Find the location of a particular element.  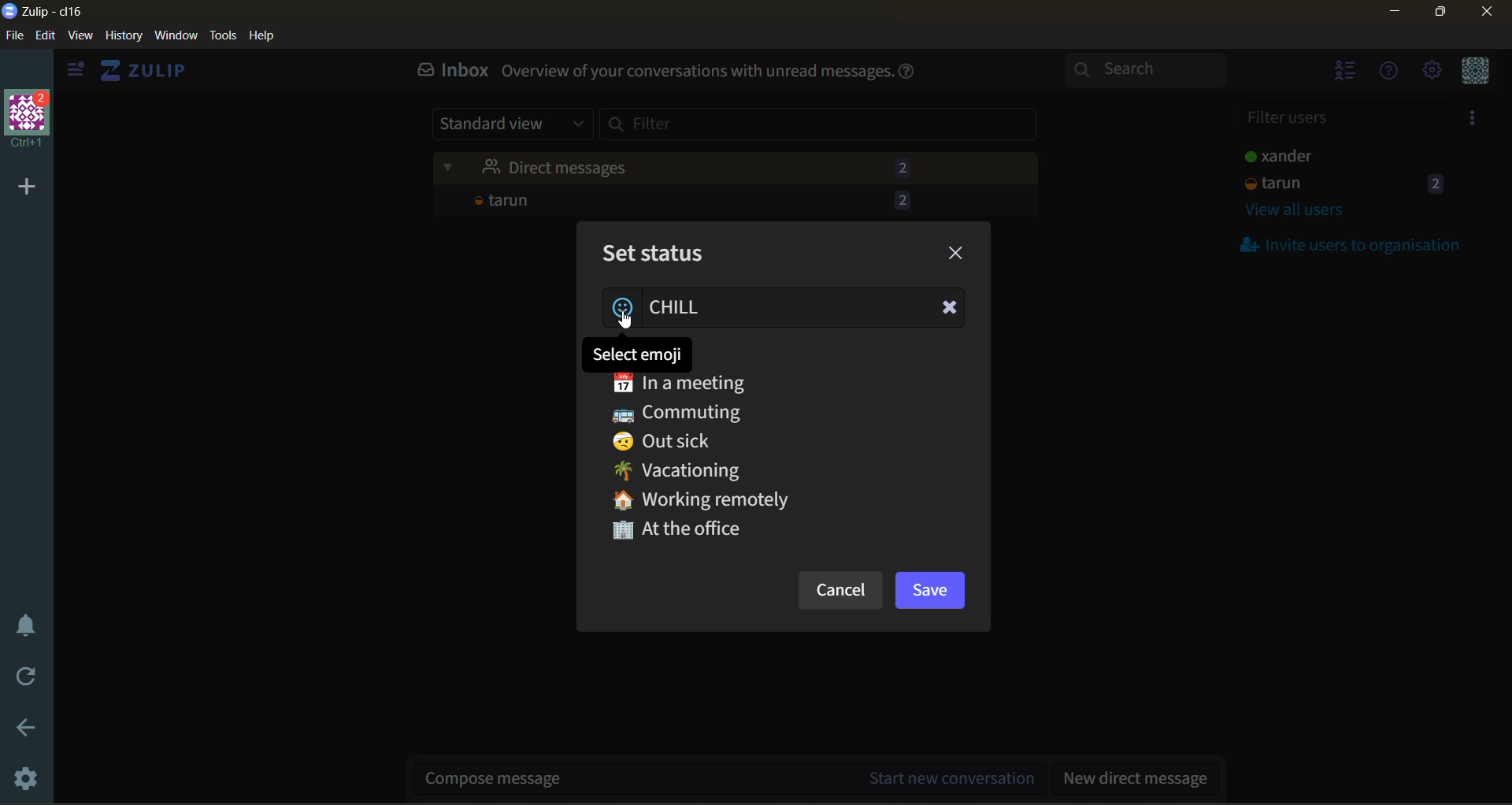

At the office is located at coordinates (687, 536).